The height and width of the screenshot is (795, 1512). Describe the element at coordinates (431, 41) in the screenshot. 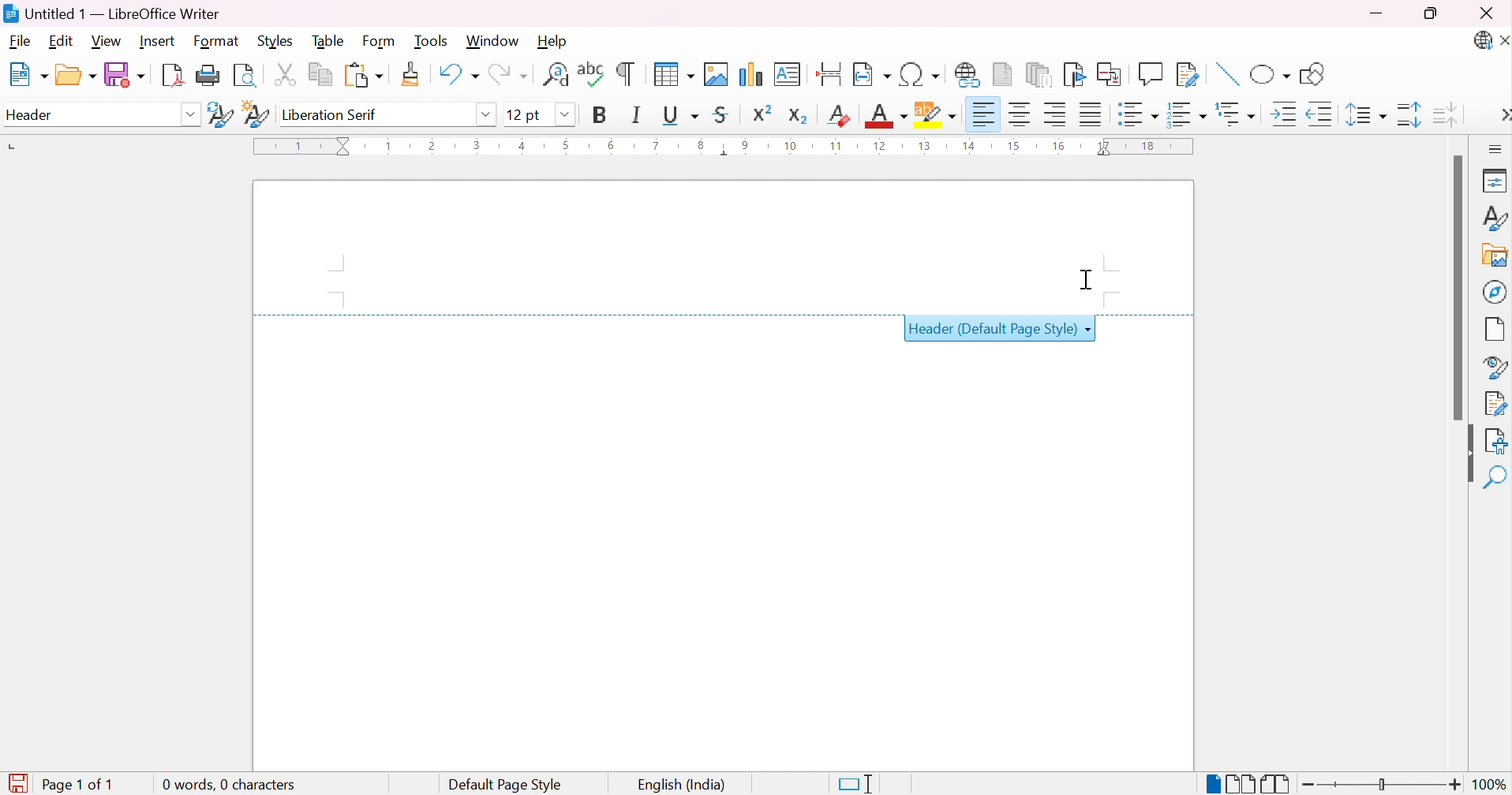

I see `Tools` at that location.